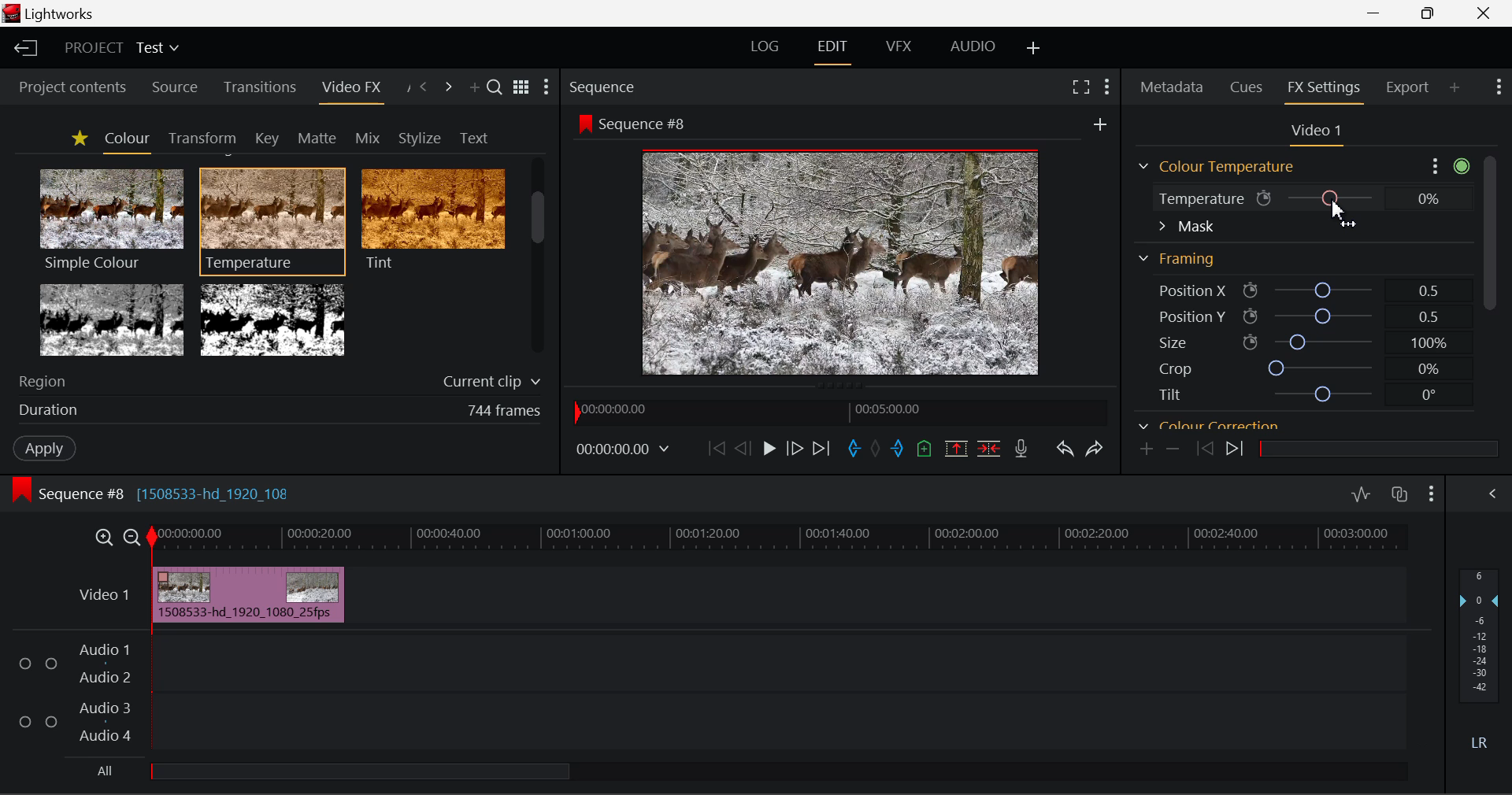  What do you see at coordinates (102, 733) in the screenshot?
I see `Audio 4` at bounding box center [102, 733].